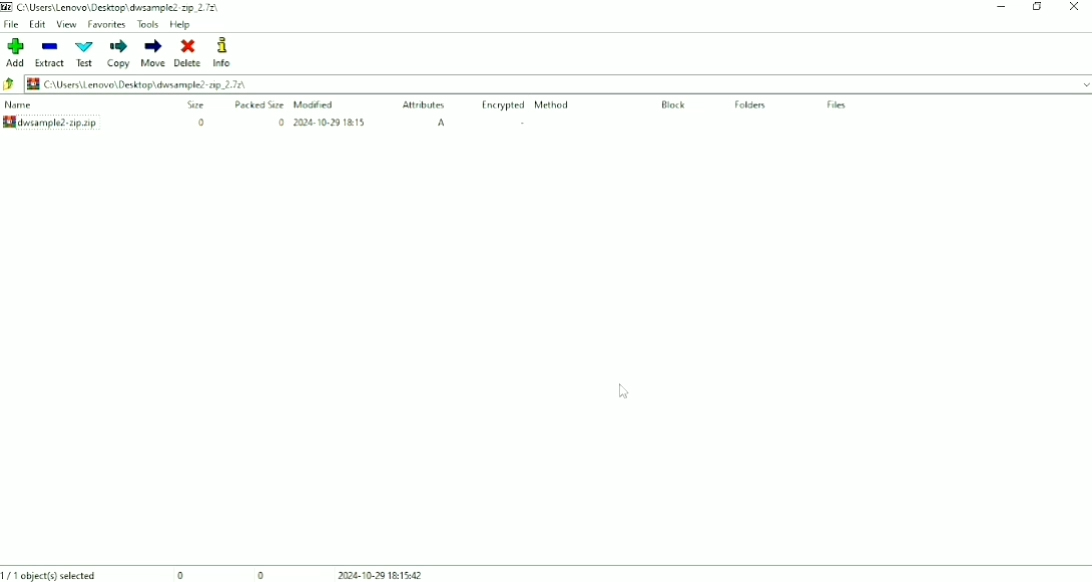  I want to click on Text, so click(85, 54).